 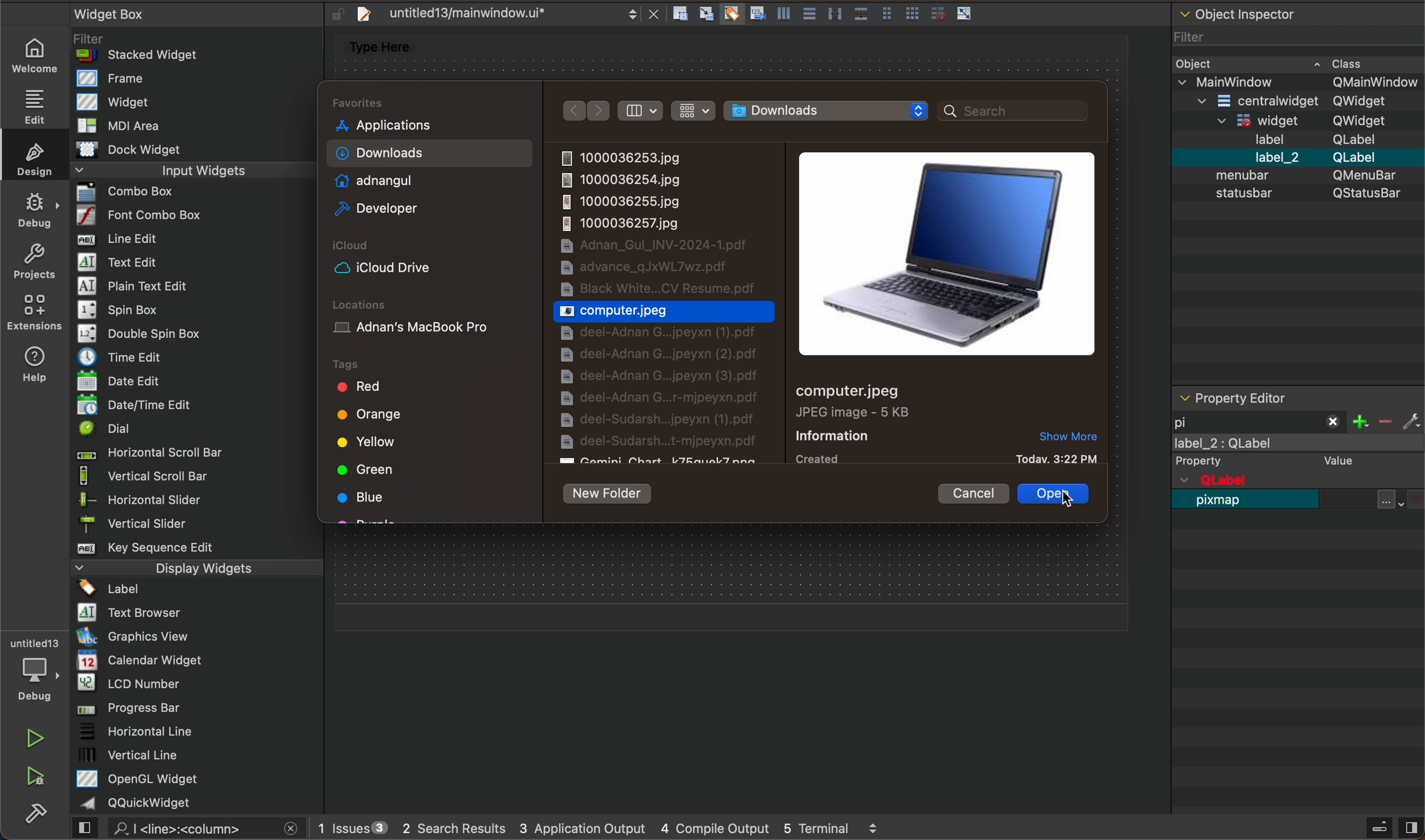 I want to click on search, so click(x=192, y=829).